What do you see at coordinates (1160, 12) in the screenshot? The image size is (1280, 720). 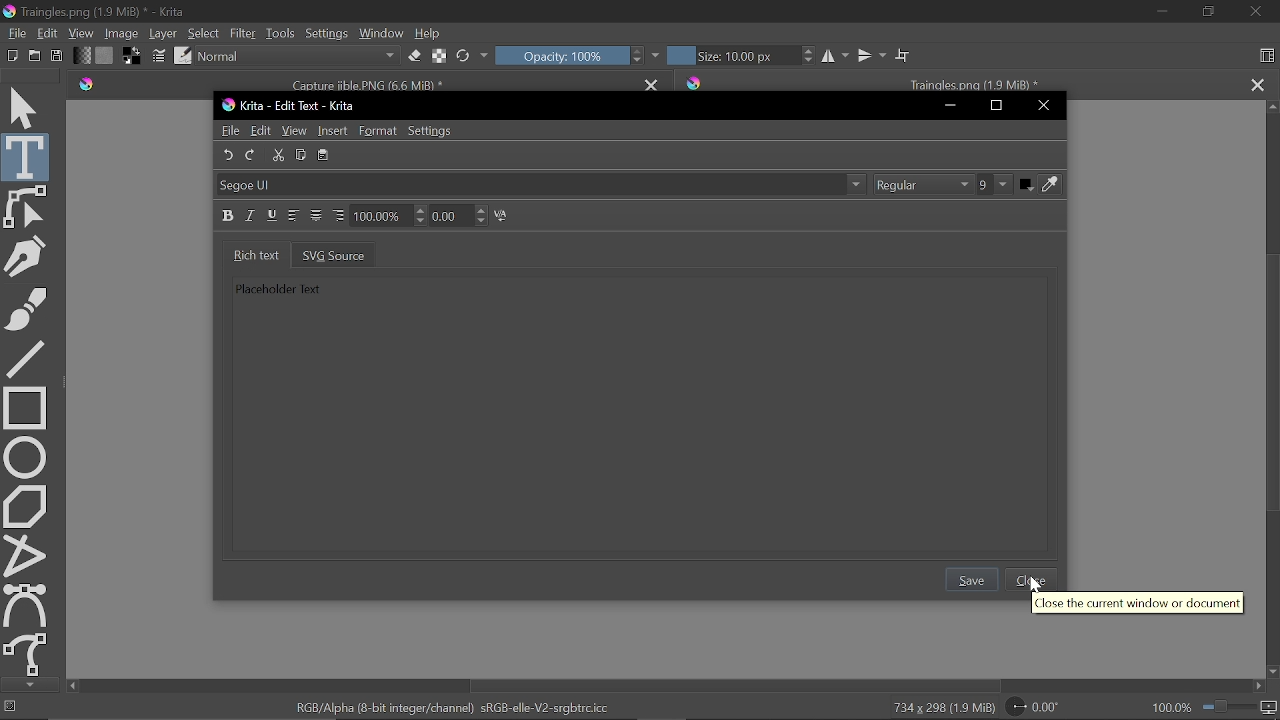 I see `Minimize` at bounding box center [1160, 12].